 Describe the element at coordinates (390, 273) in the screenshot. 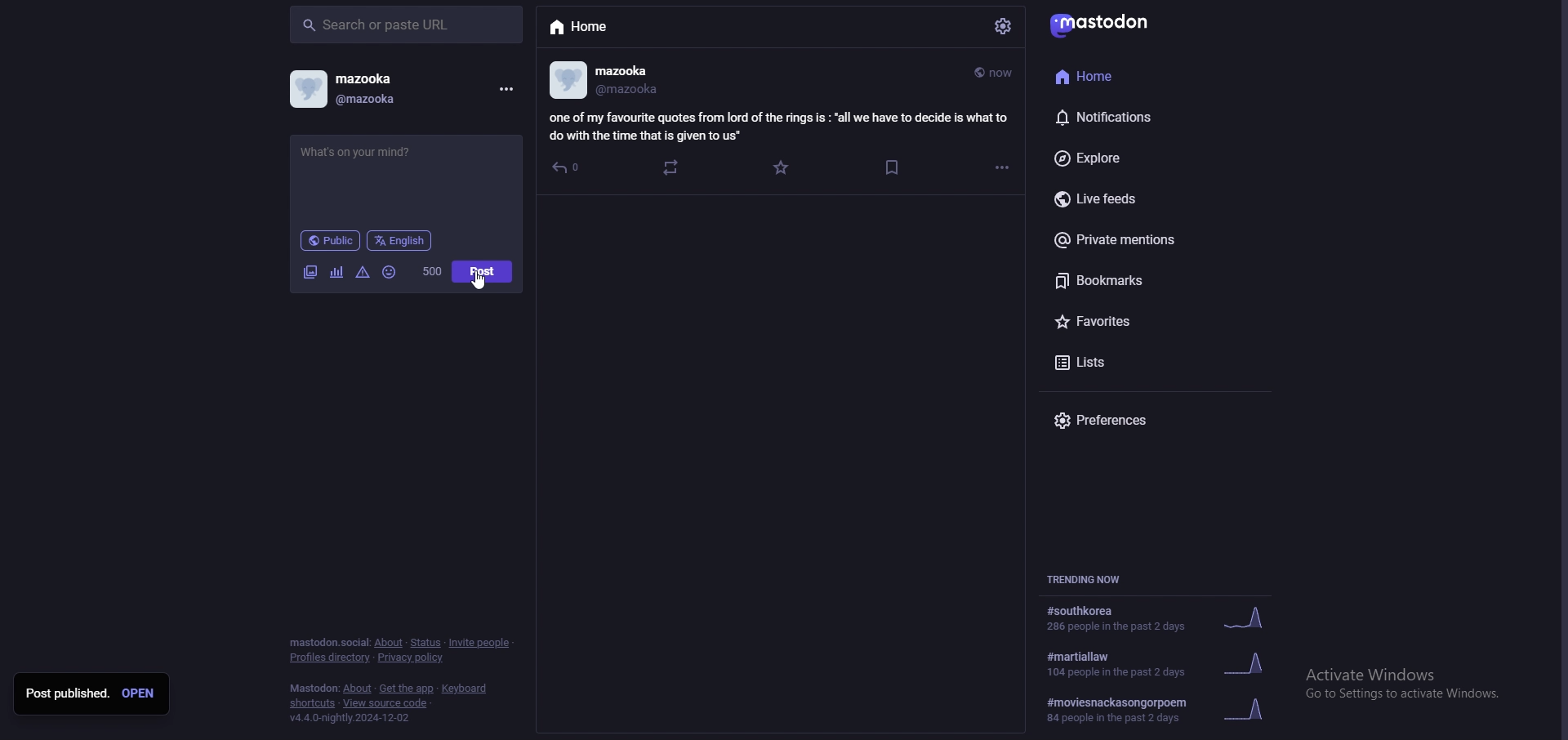

I see `emoji` at that location.